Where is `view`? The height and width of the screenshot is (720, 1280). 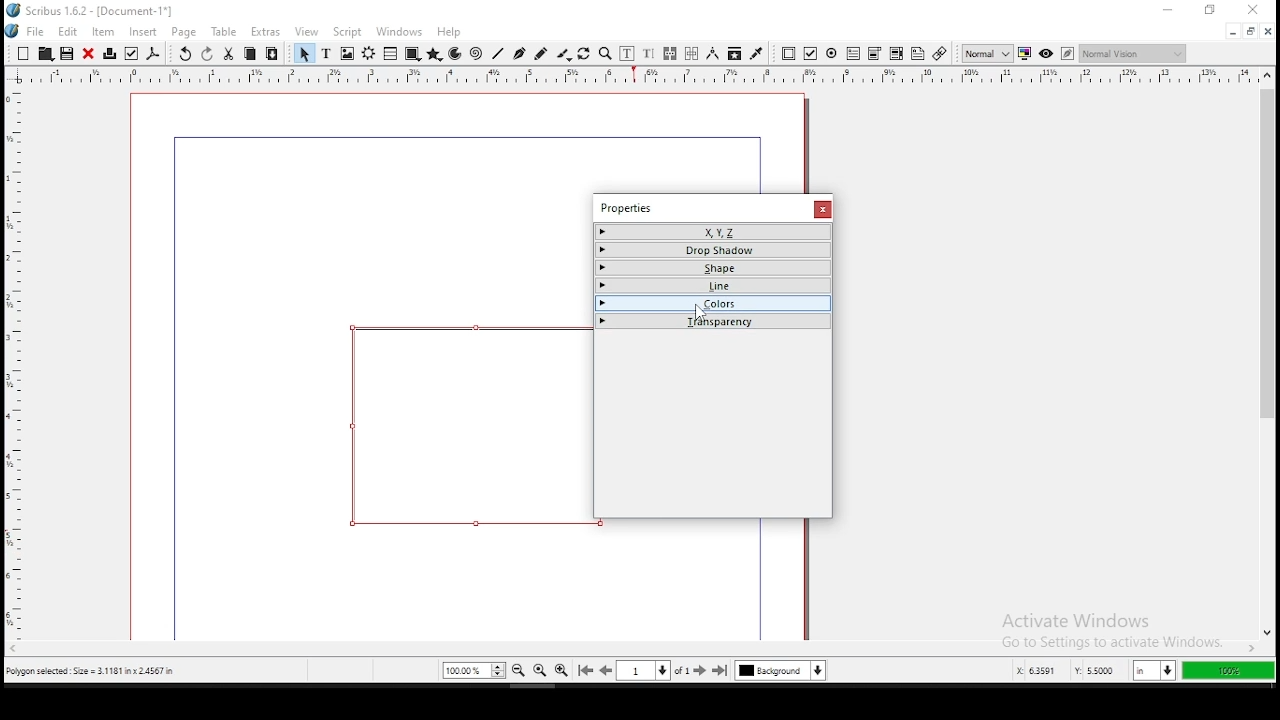
view is located at coordinates (307, 33).